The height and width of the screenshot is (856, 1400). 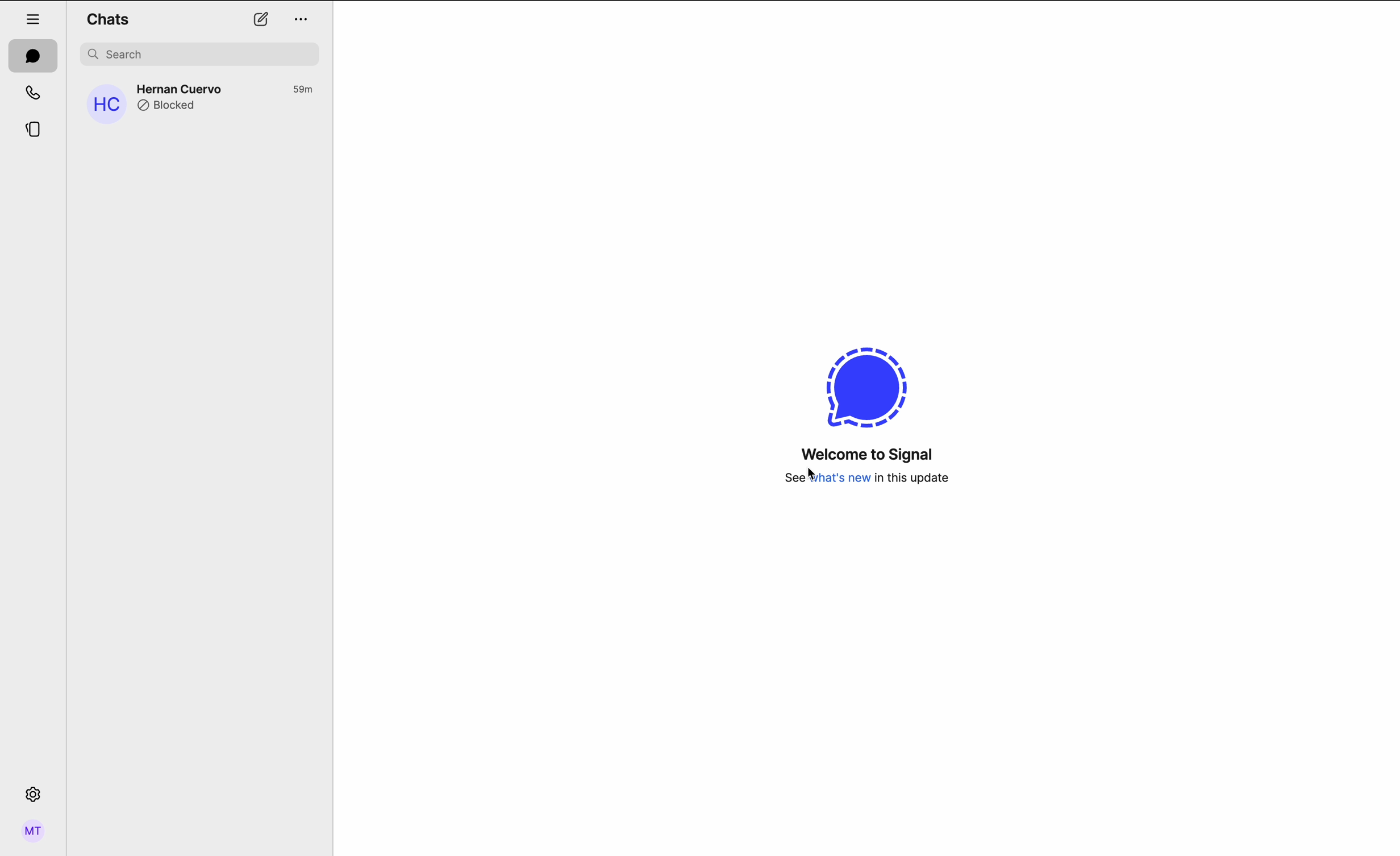 What do you see at coordinates (261, 20) in the screenshot?
I see `new chat` at bounding box center [261, 20].